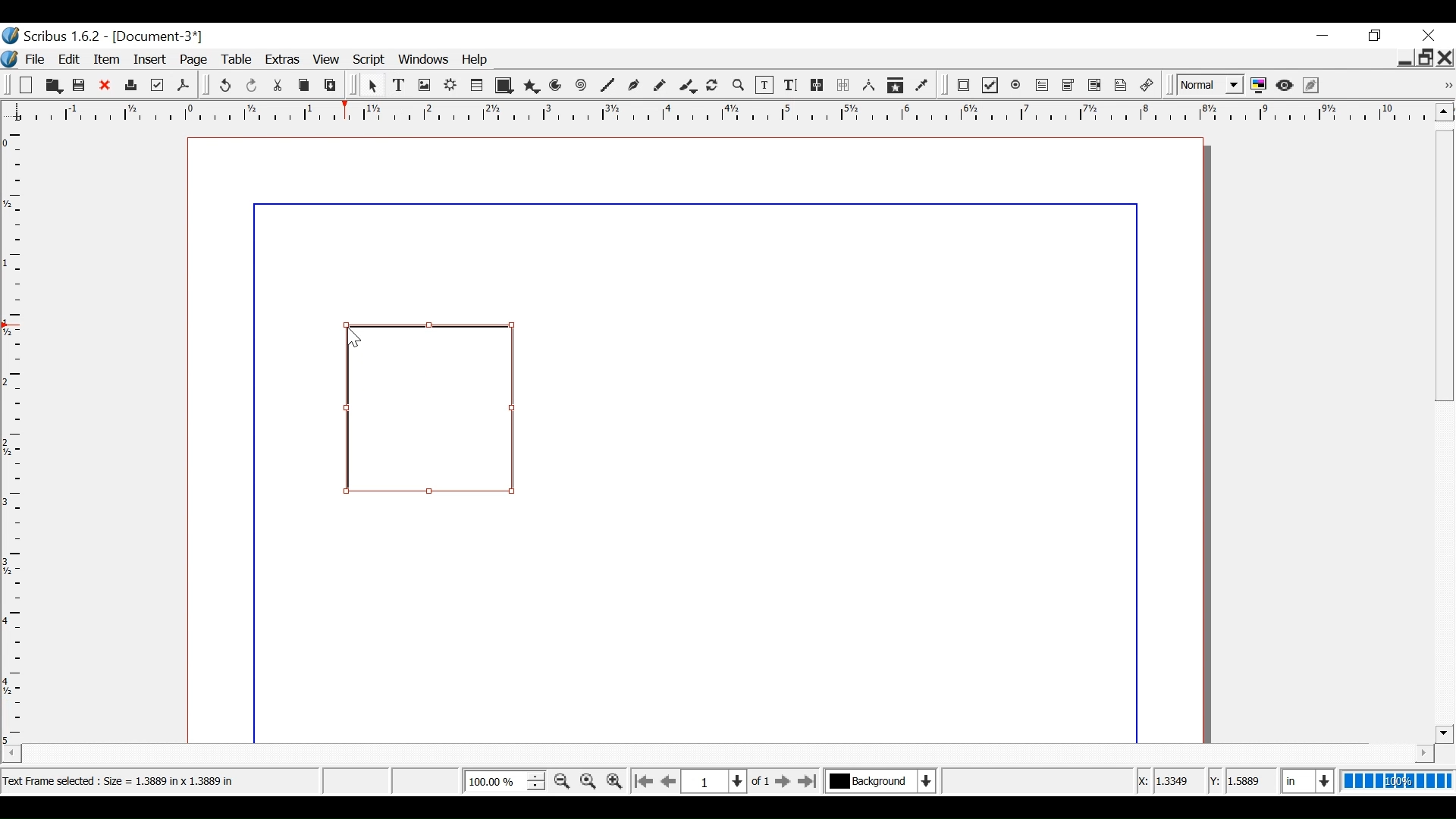 This screenshot has width=1456, height=819. Describe the element at coordinates (808, 780) in the screenshot. I see `Go to the last page` at that location.